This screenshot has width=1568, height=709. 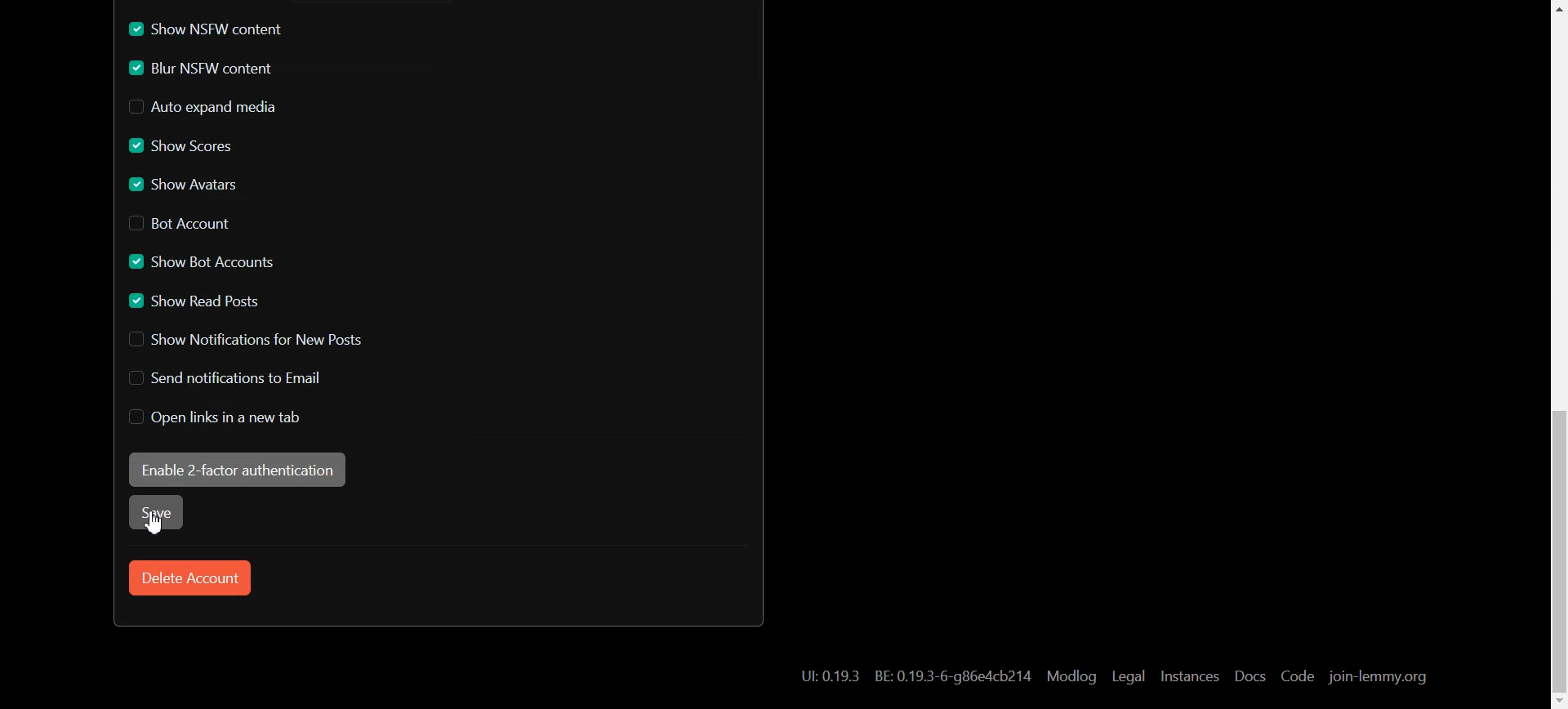 What do you see at coordinates (208, 28) in the screenshot?
I see `Enable Show NSFW content` at bounding box center [208, 28].